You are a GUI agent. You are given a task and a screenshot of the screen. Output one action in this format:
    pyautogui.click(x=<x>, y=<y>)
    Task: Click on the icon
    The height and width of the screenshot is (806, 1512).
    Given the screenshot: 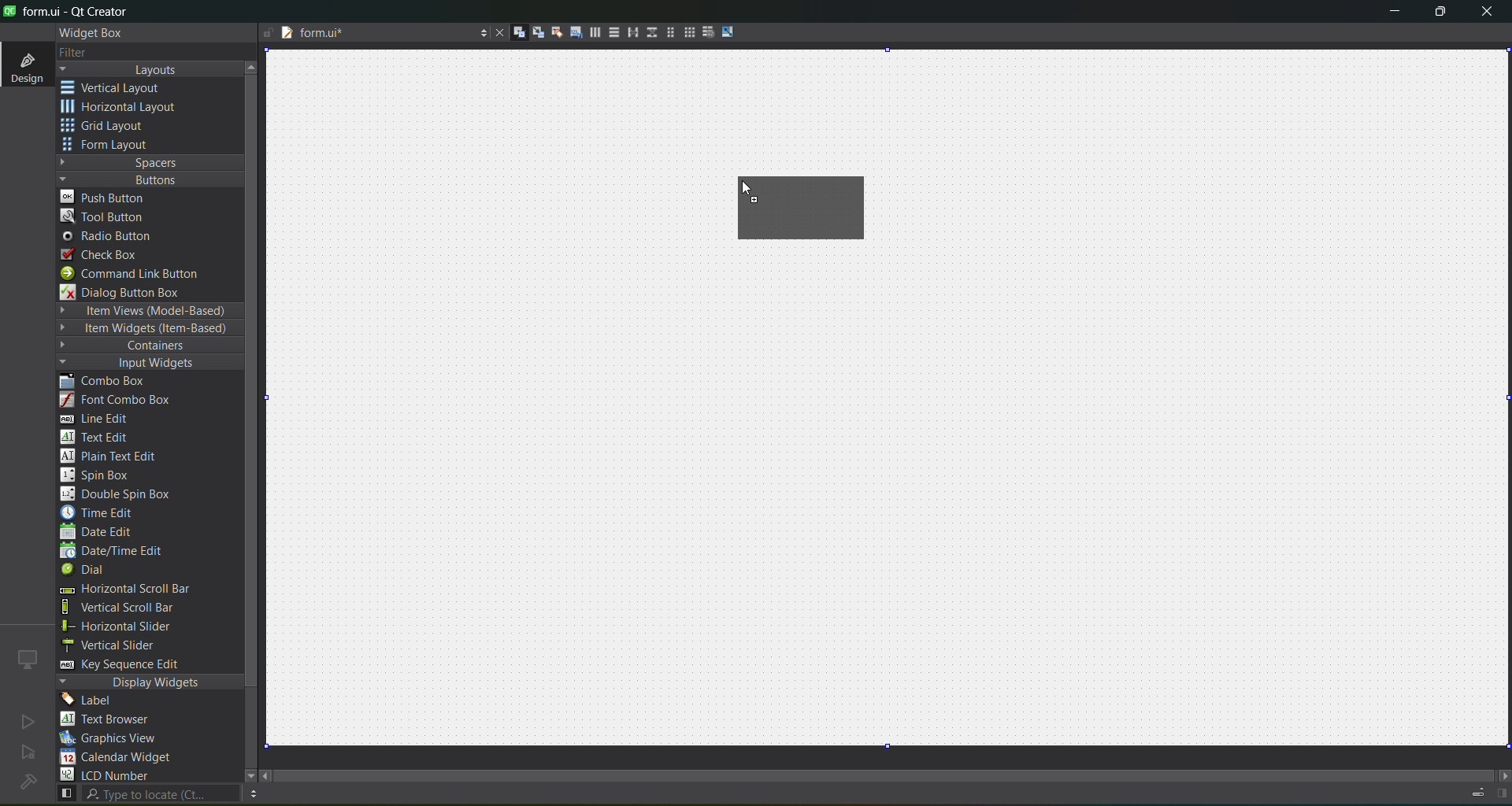 What is the action you would take?
    pyautogui.click(x=28, y=659)
    